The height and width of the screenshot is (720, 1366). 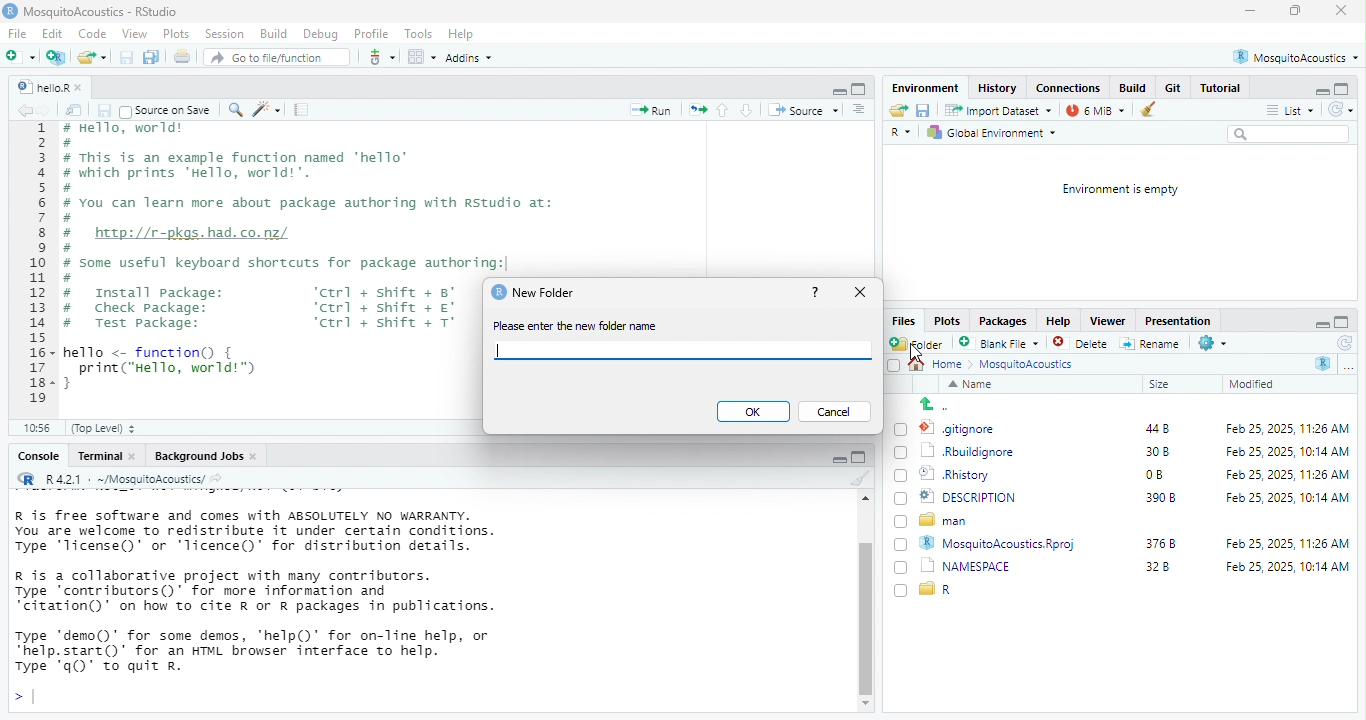 I want to click on up to previous folder, so click(x=931, y=404).